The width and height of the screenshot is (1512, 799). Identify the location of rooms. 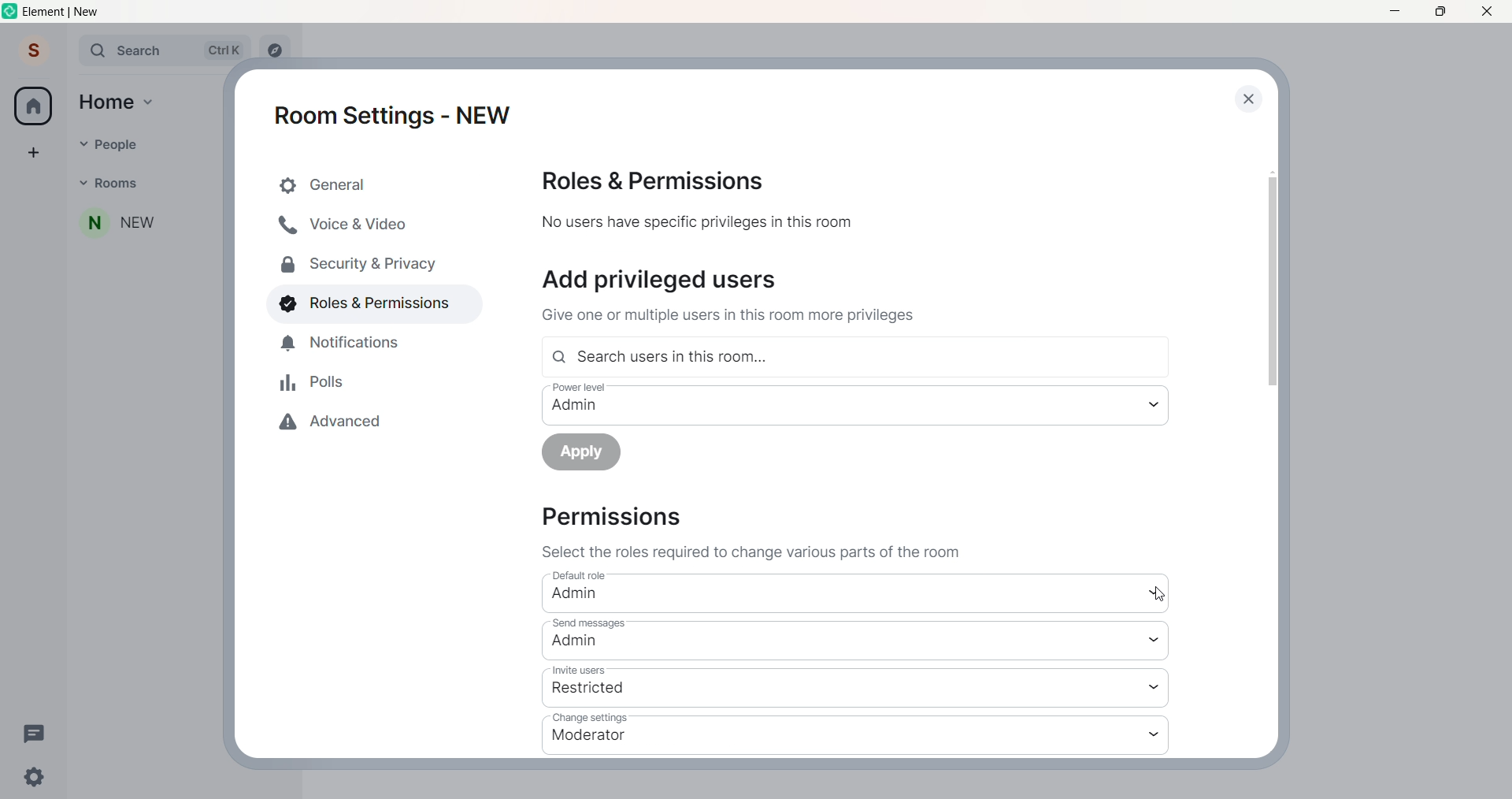
(114, 185).